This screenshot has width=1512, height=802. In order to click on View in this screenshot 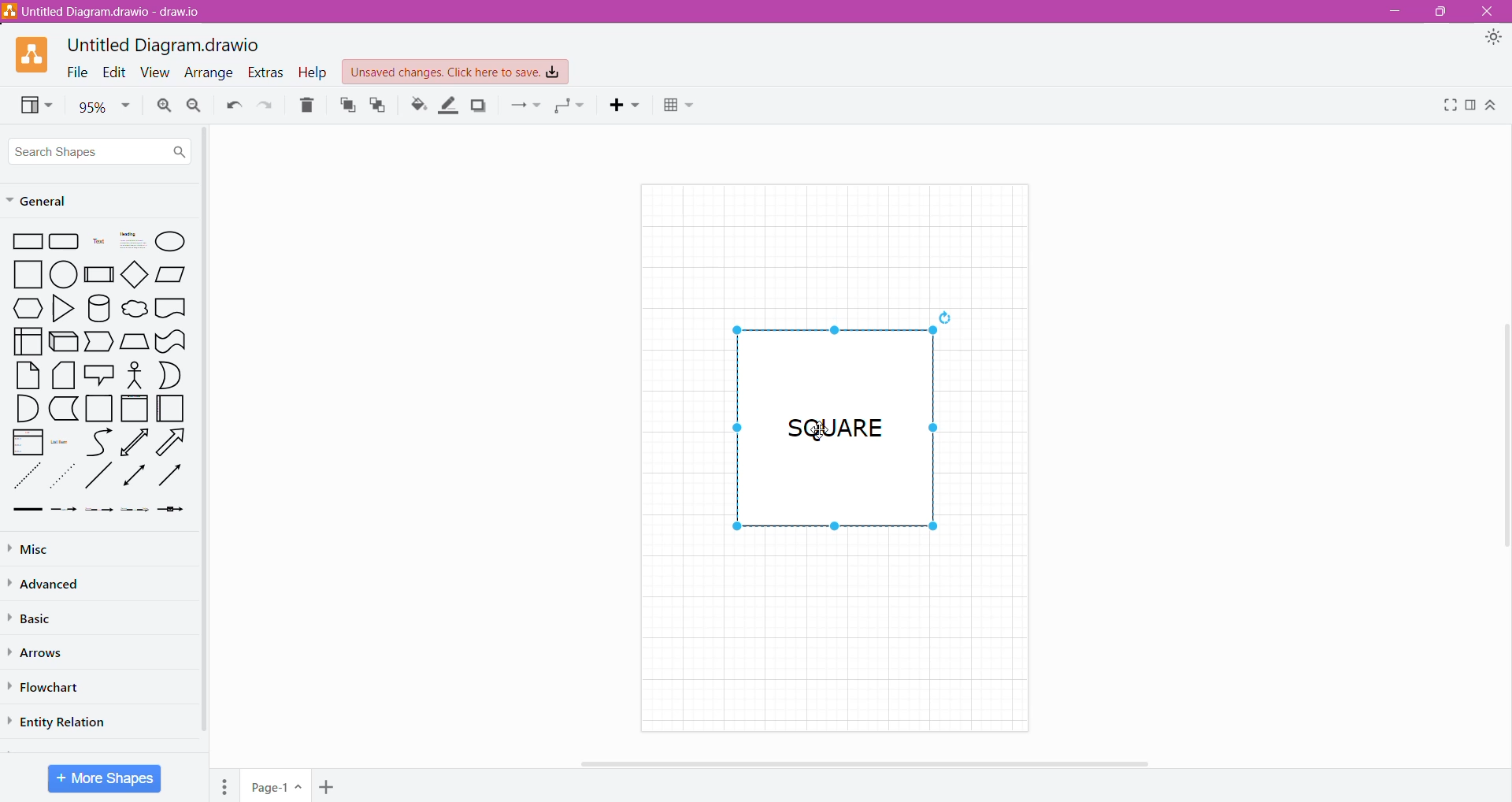, I will do `click(33, 106)`.